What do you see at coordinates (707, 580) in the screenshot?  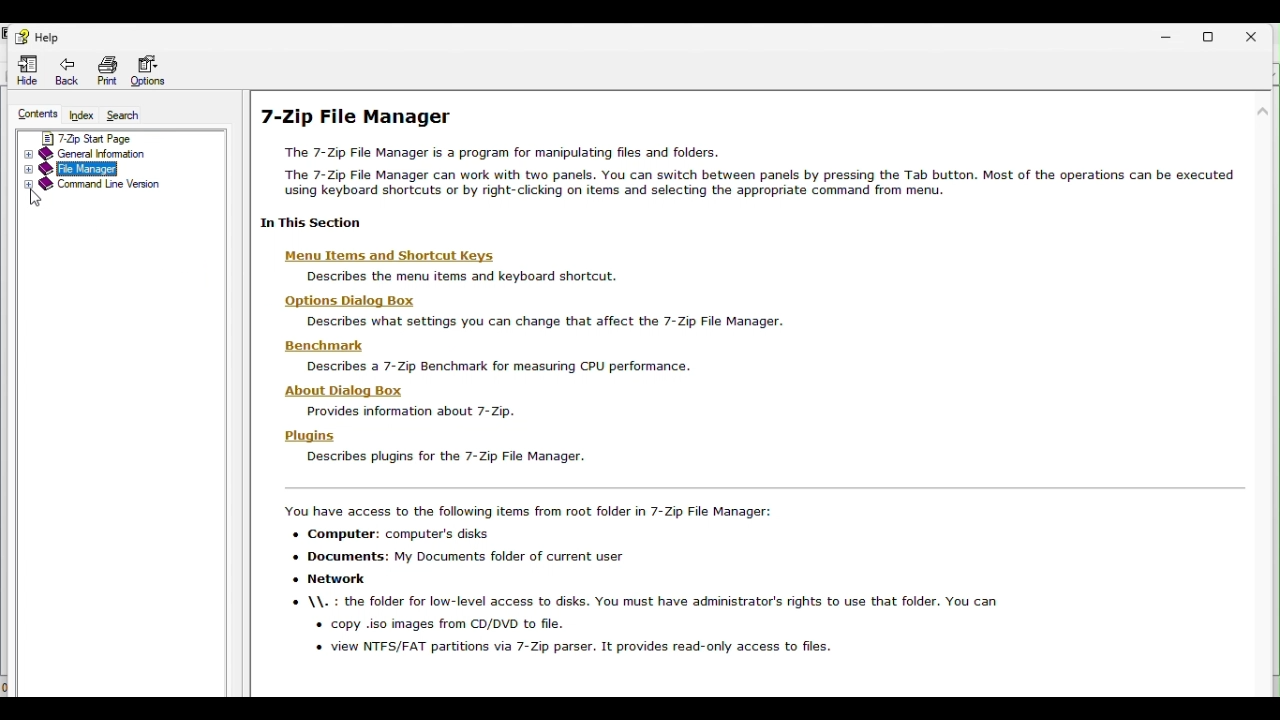 I see `zip file manager text` at bounding box center [707, 580].